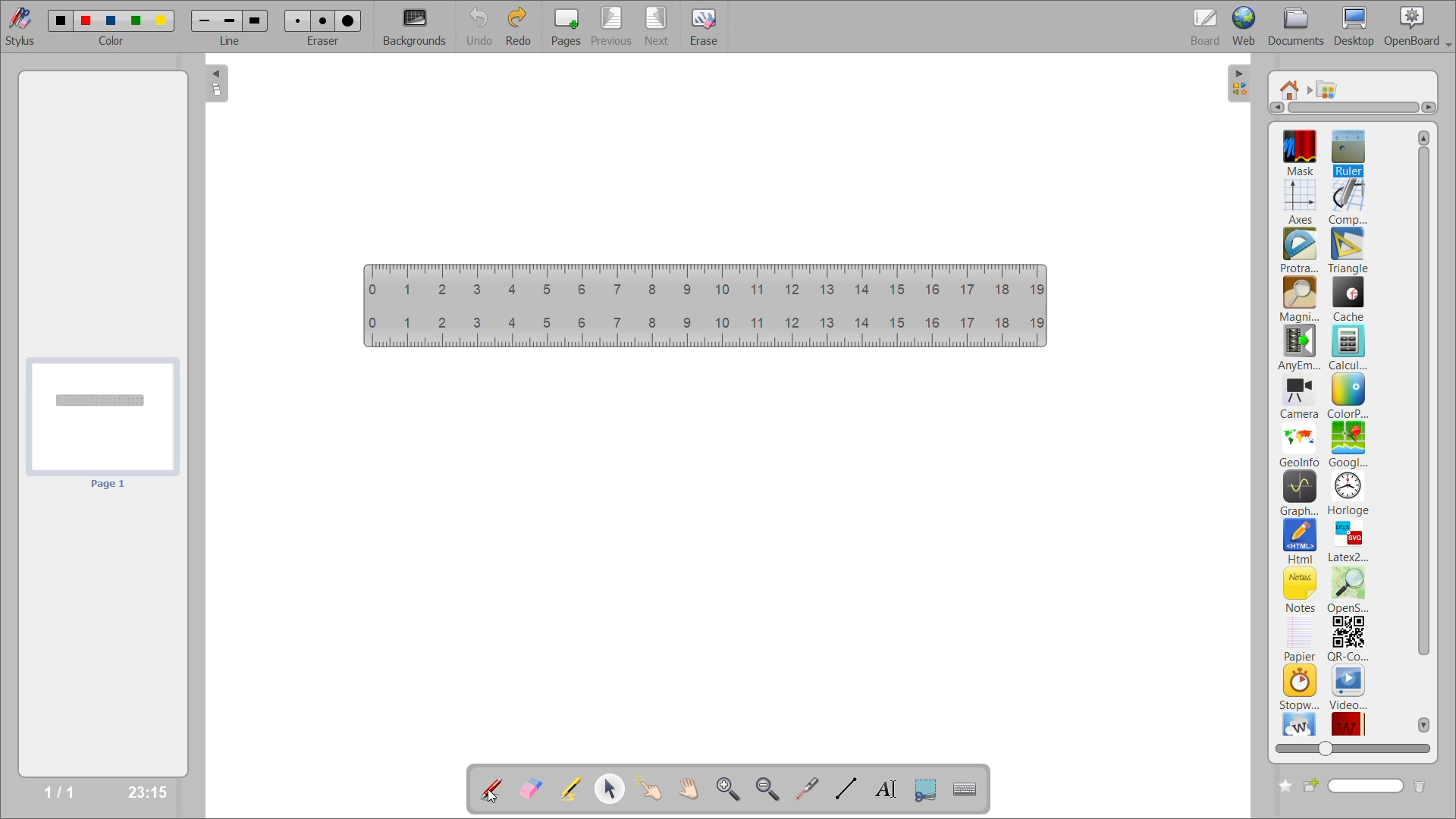  What do you see at coordinates (1355, 26) in the screenshot?
I see `desktop` at bounding box center [1355, 26].